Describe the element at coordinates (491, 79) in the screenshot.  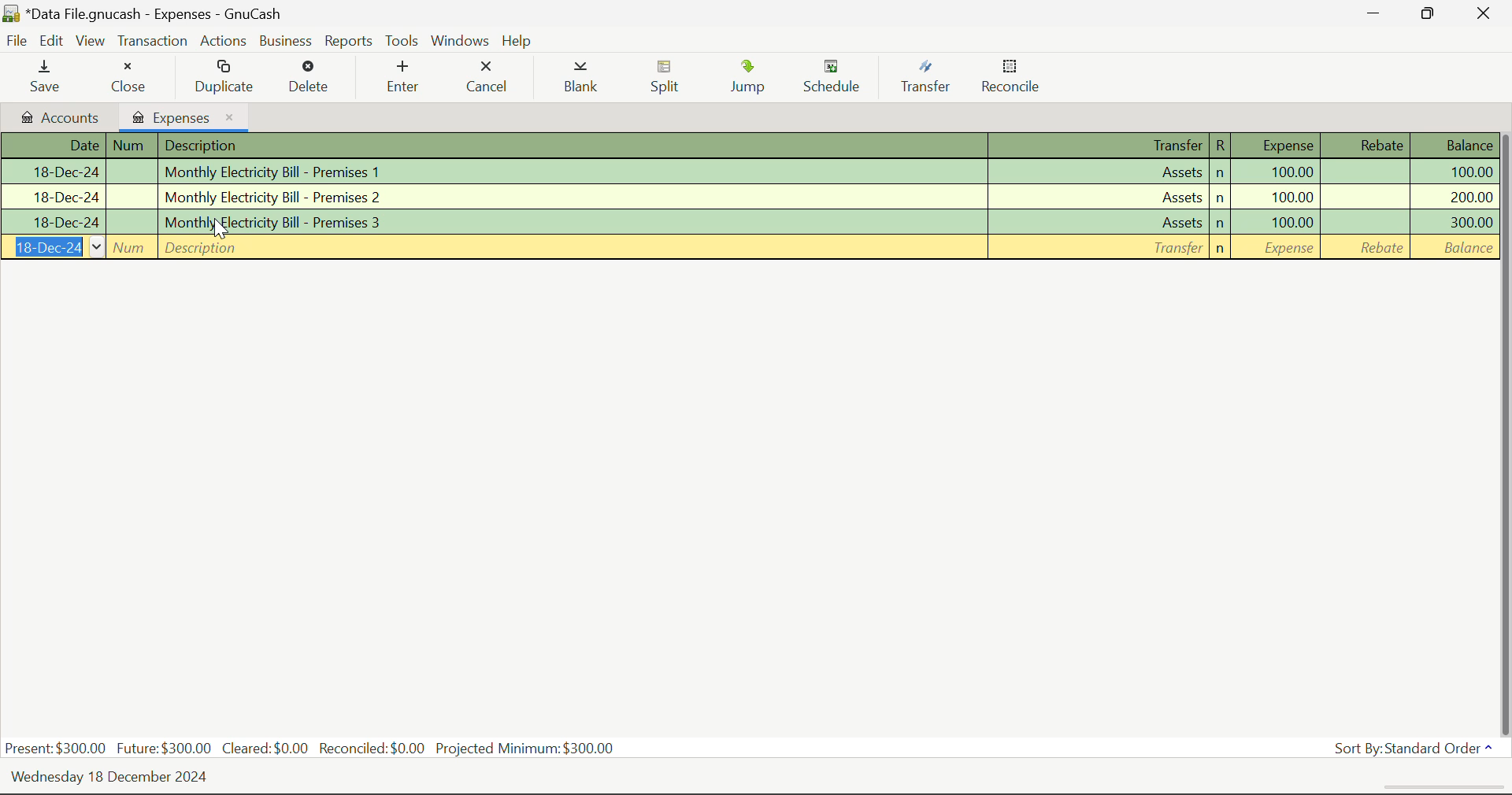
I see `Cancel` at that location.